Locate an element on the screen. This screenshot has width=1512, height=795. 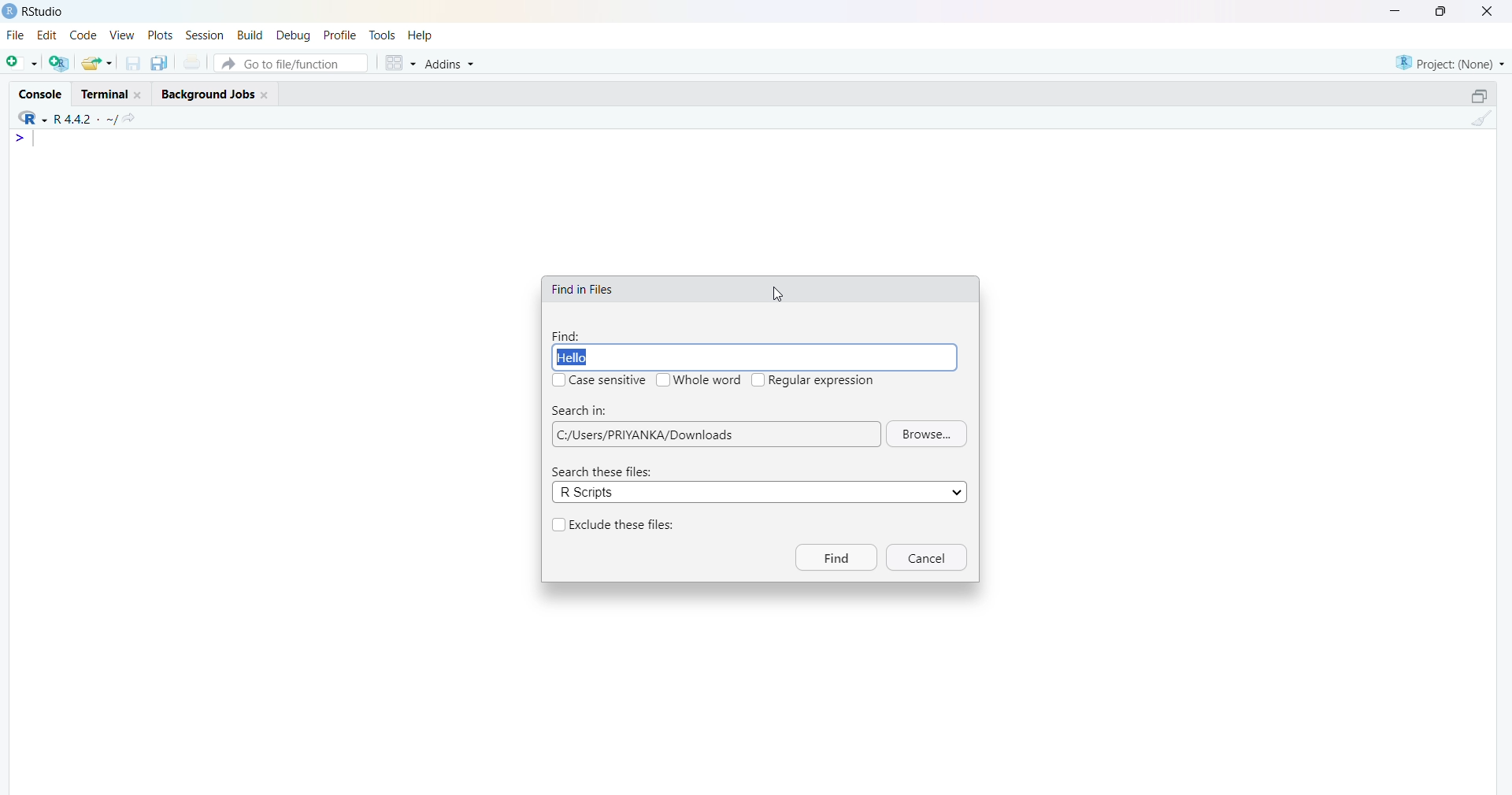
share is located at coordinates (132, 118).